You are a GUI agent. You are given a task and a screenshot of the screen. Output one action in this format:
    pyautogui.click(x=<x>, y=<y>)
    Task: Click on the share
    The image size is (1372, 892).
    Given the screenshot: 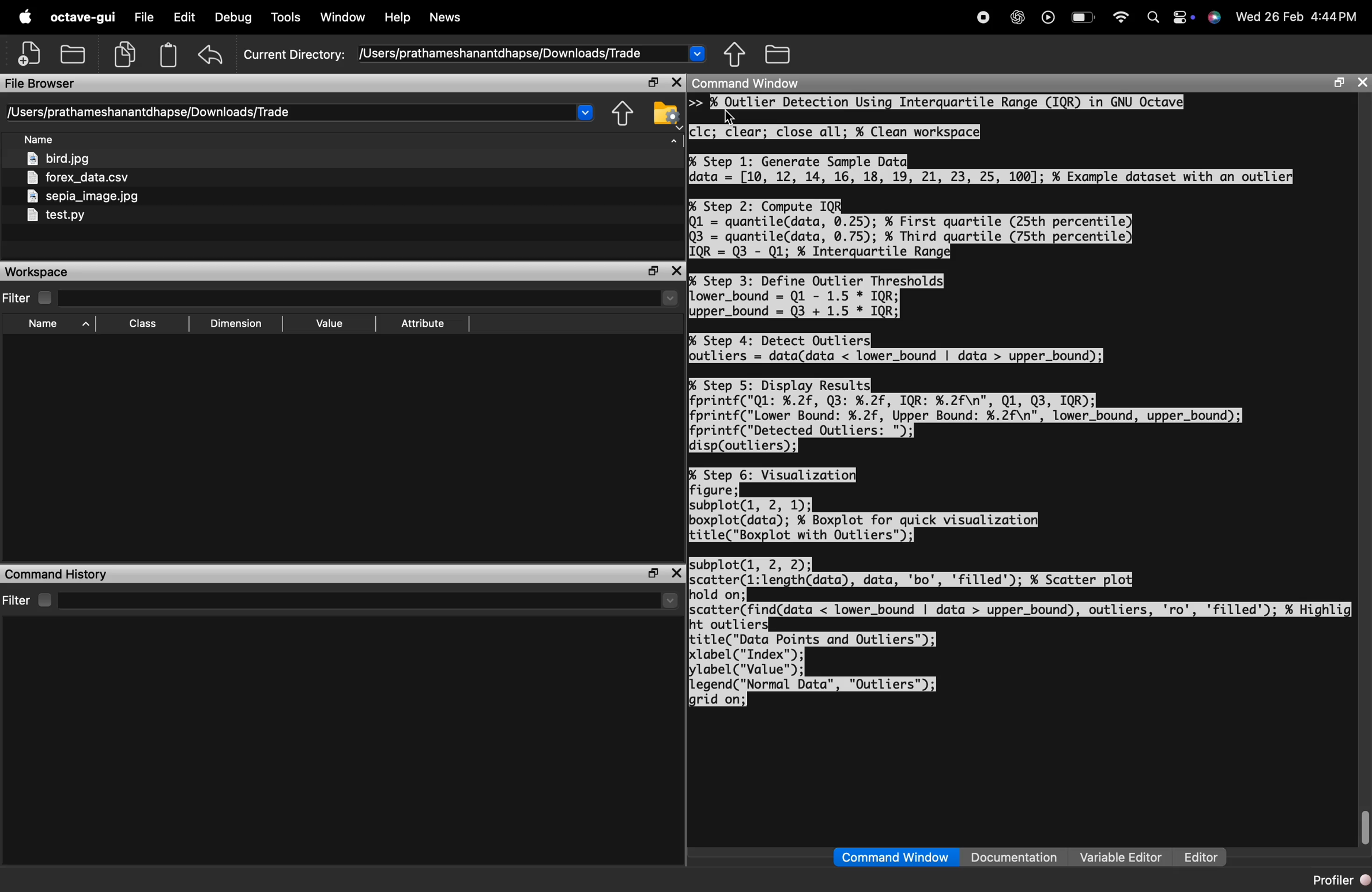 What is the action you would take?
    pyautogui.click(x=735, y=54)
    